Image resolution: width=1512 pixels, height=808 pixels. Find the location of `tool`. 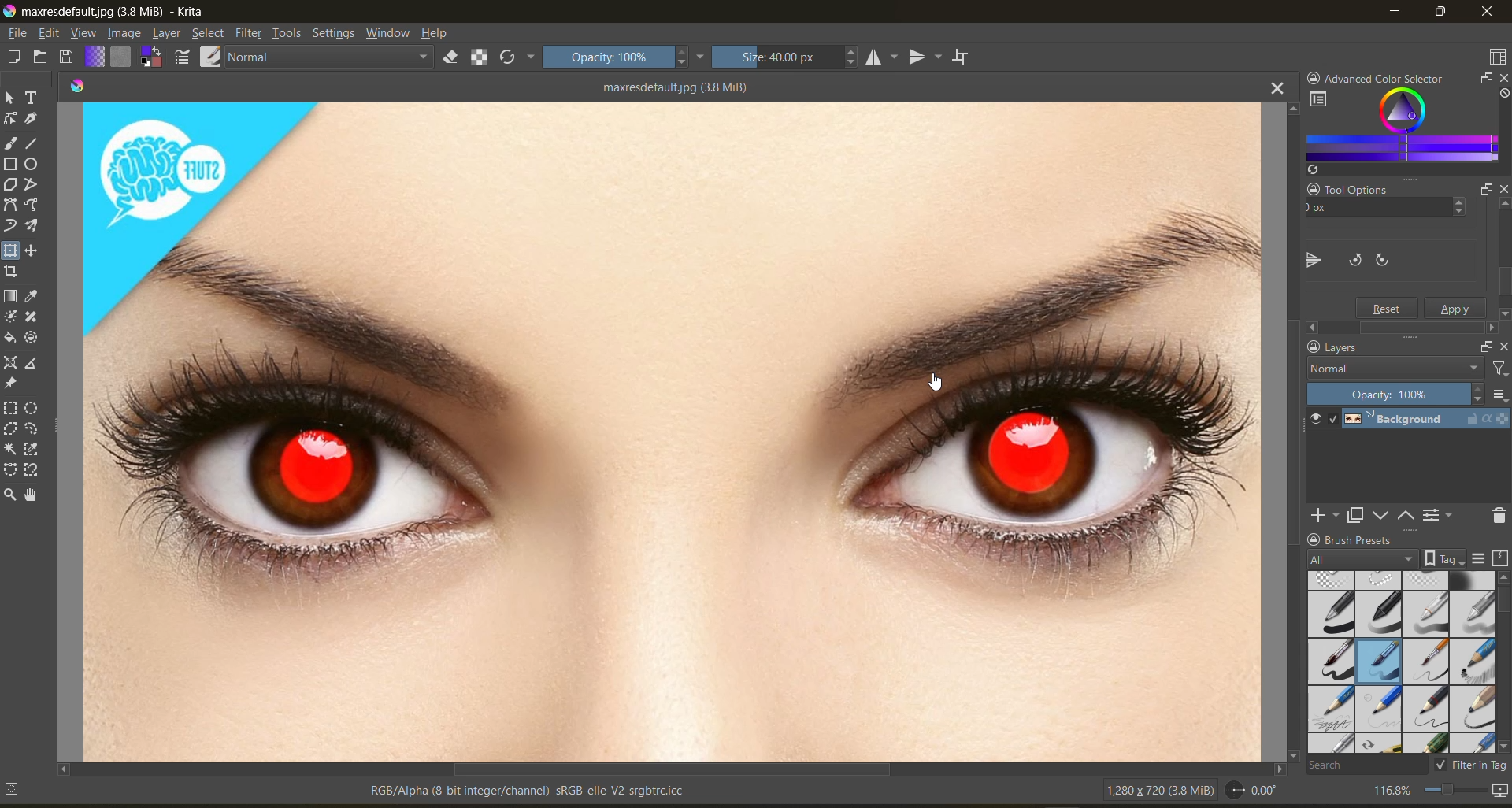

tool is located at coordinates (32, 365).